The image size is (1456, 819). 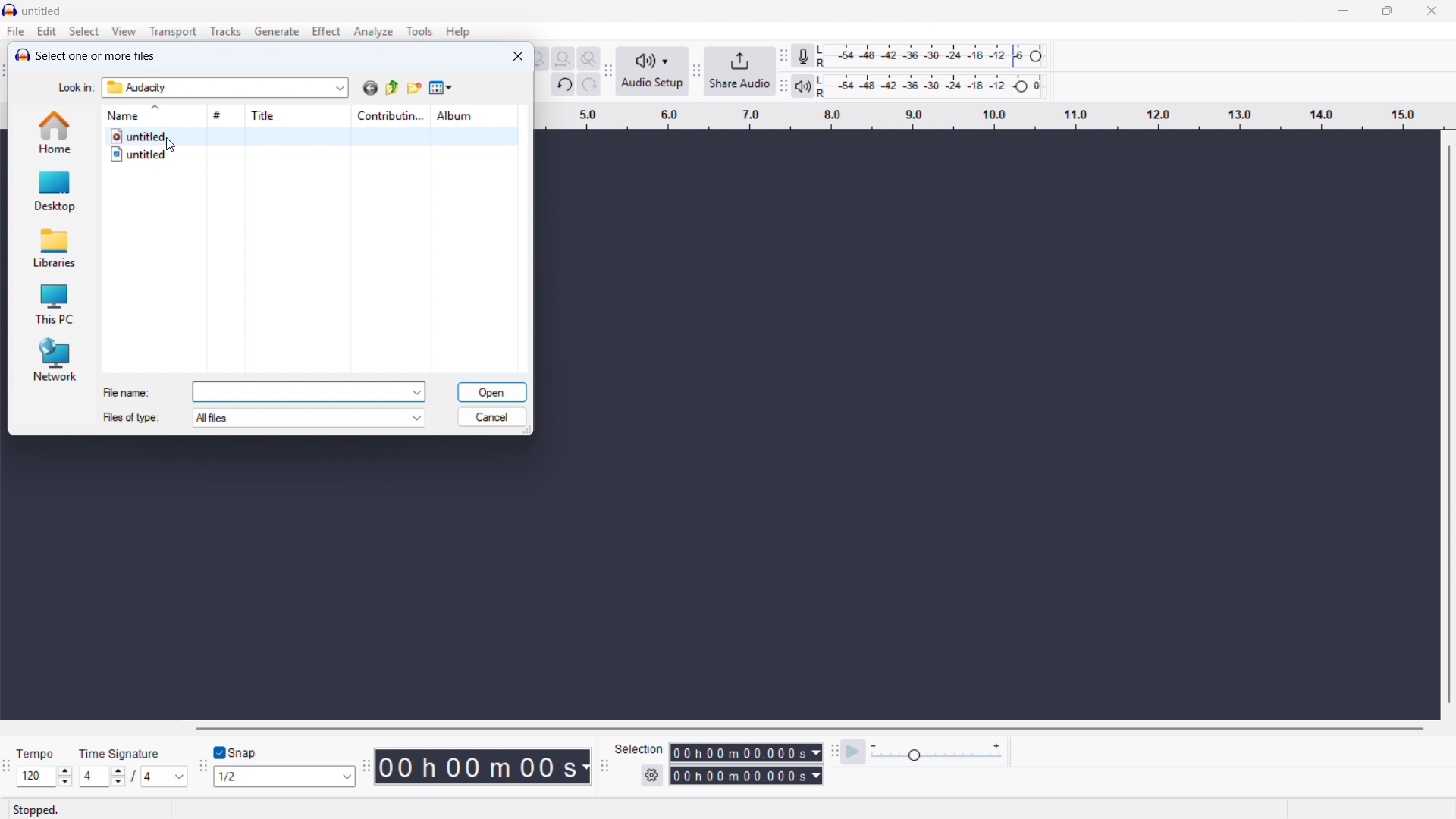 I want to click on Recording level , so click(x=936, y=55).